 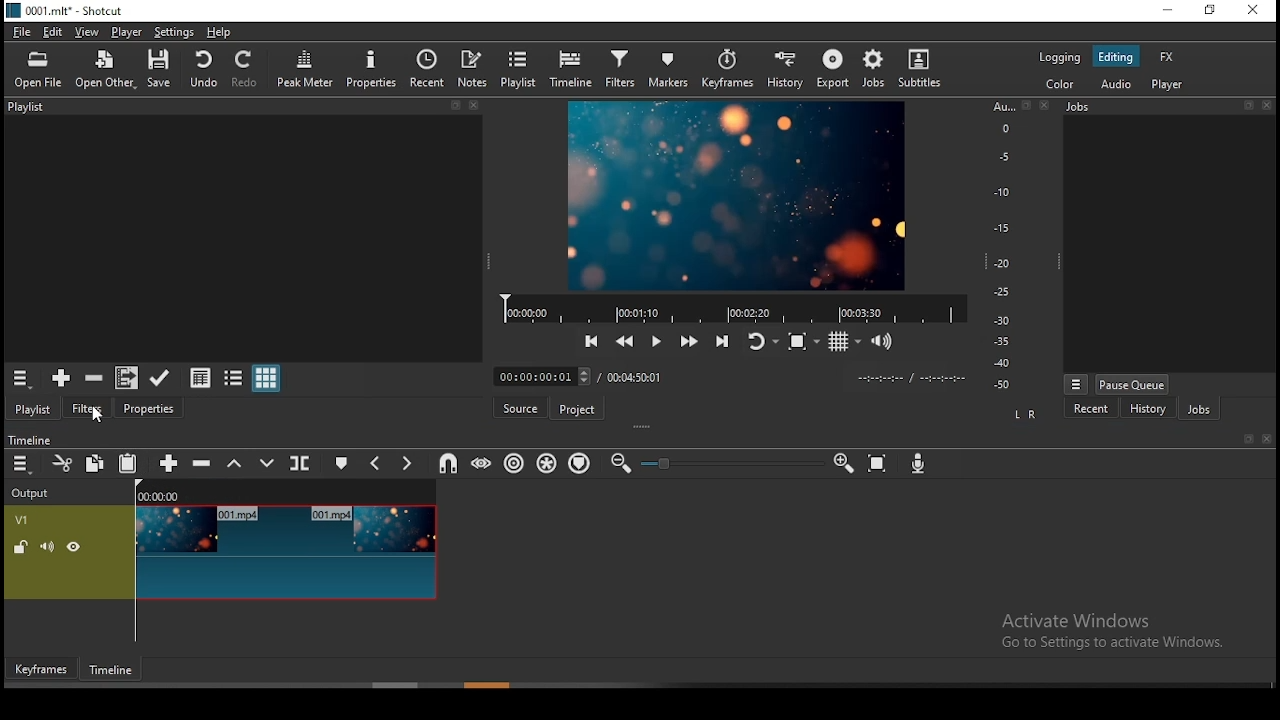 What do you see at coordinates (270, 462) in the screenshot?
I see `overwrite` at bounding box center [270, 462].